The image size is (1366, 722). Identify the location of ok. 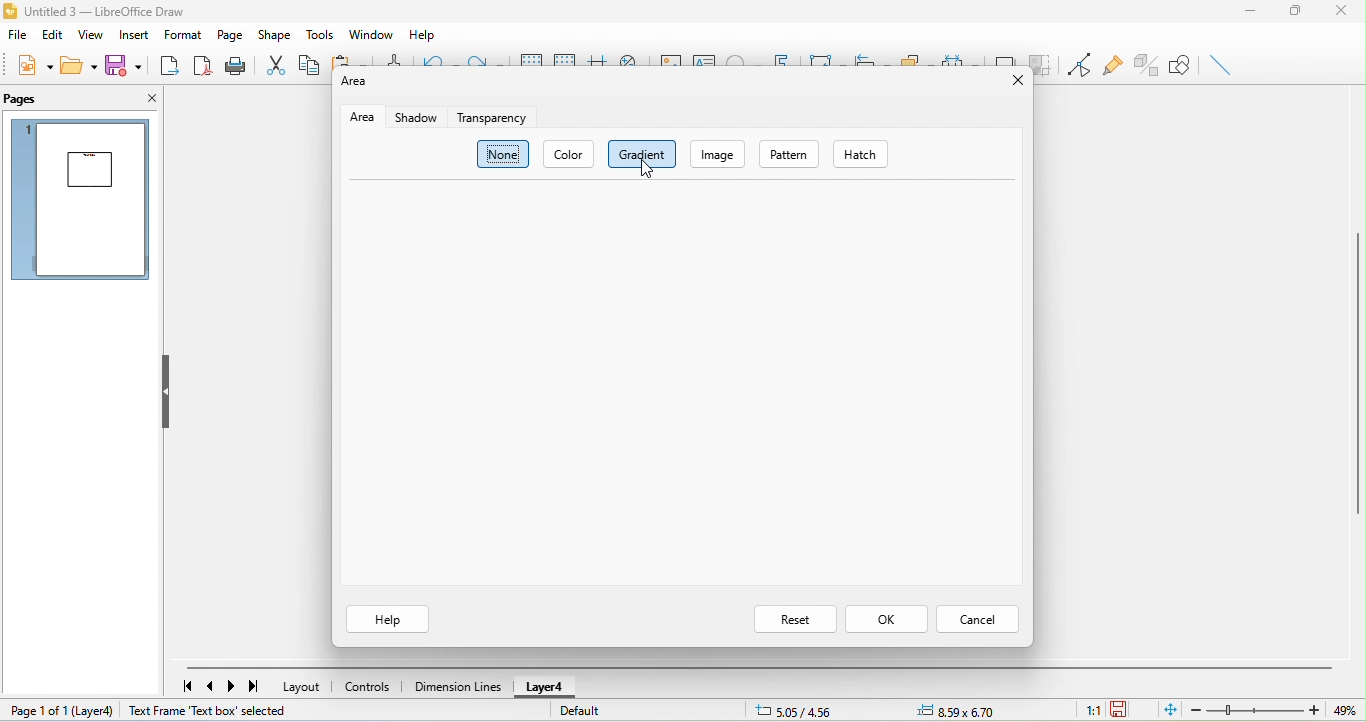
(887, 620).